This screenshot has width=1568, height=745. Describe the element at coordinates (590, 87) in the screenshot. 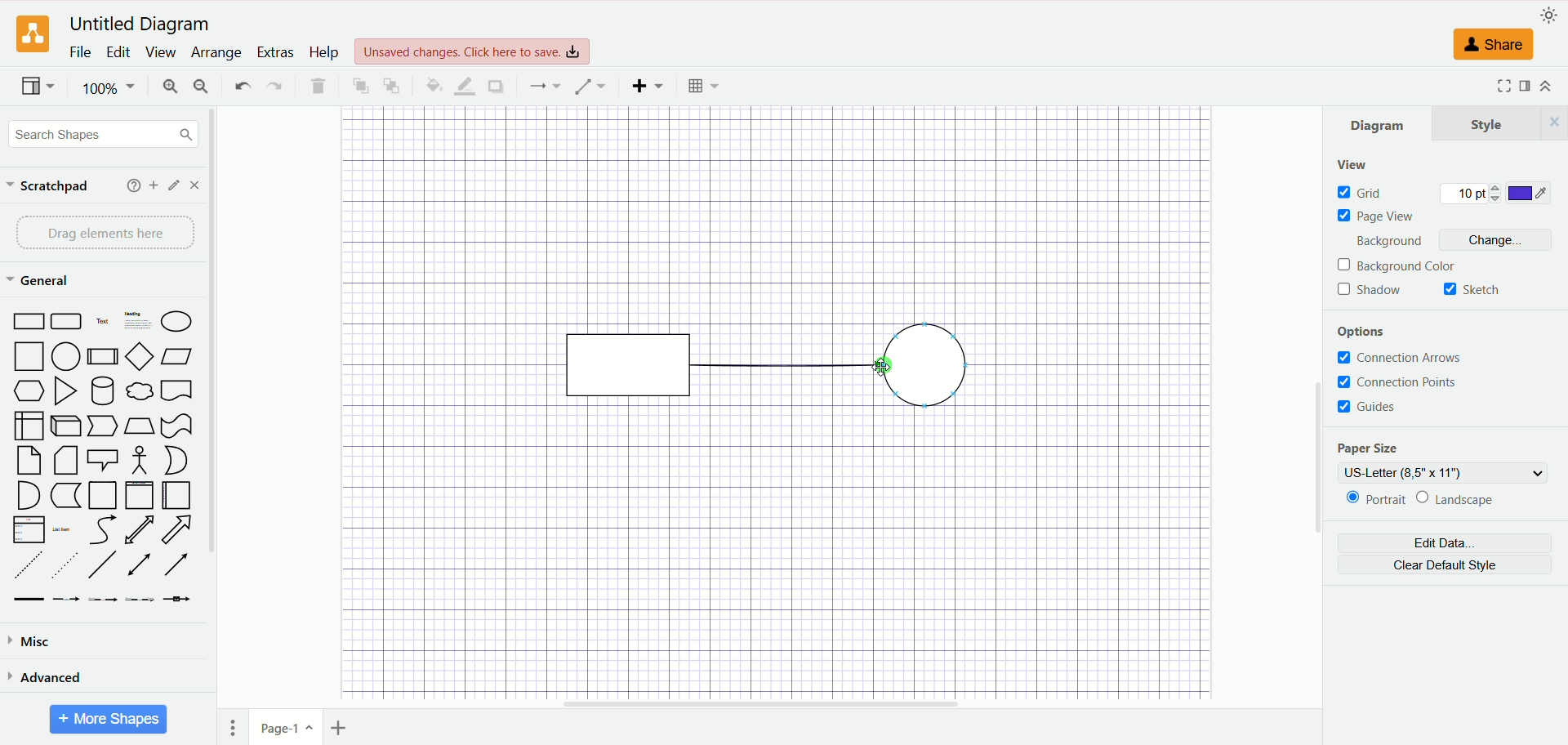

I see `waypoint` at that location.